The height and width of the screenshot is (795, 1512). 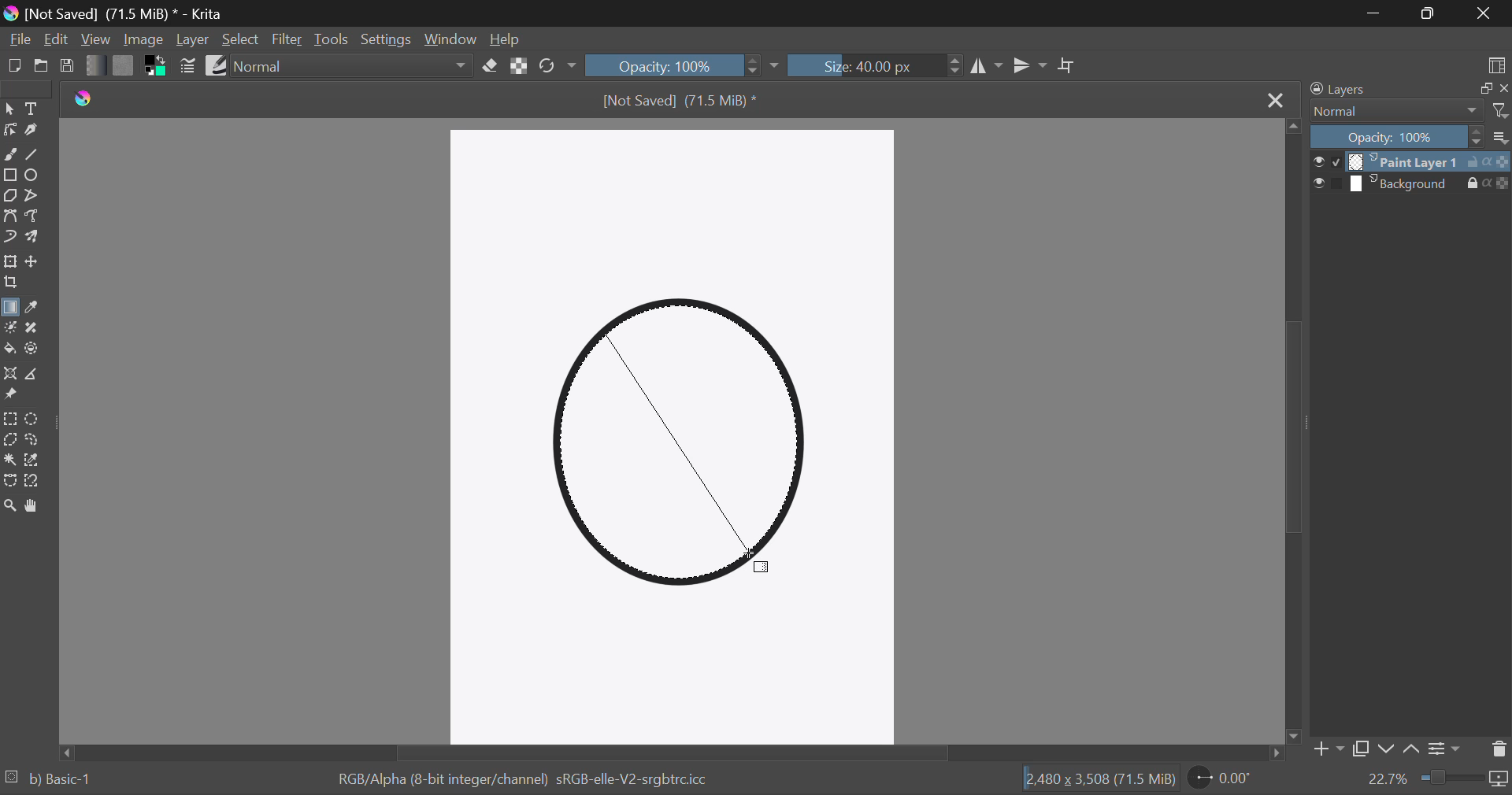 What do you see at coordinates (1362, 749) in the screenshot?
I see `Copy Layer` at bounding box center [1362, 749].